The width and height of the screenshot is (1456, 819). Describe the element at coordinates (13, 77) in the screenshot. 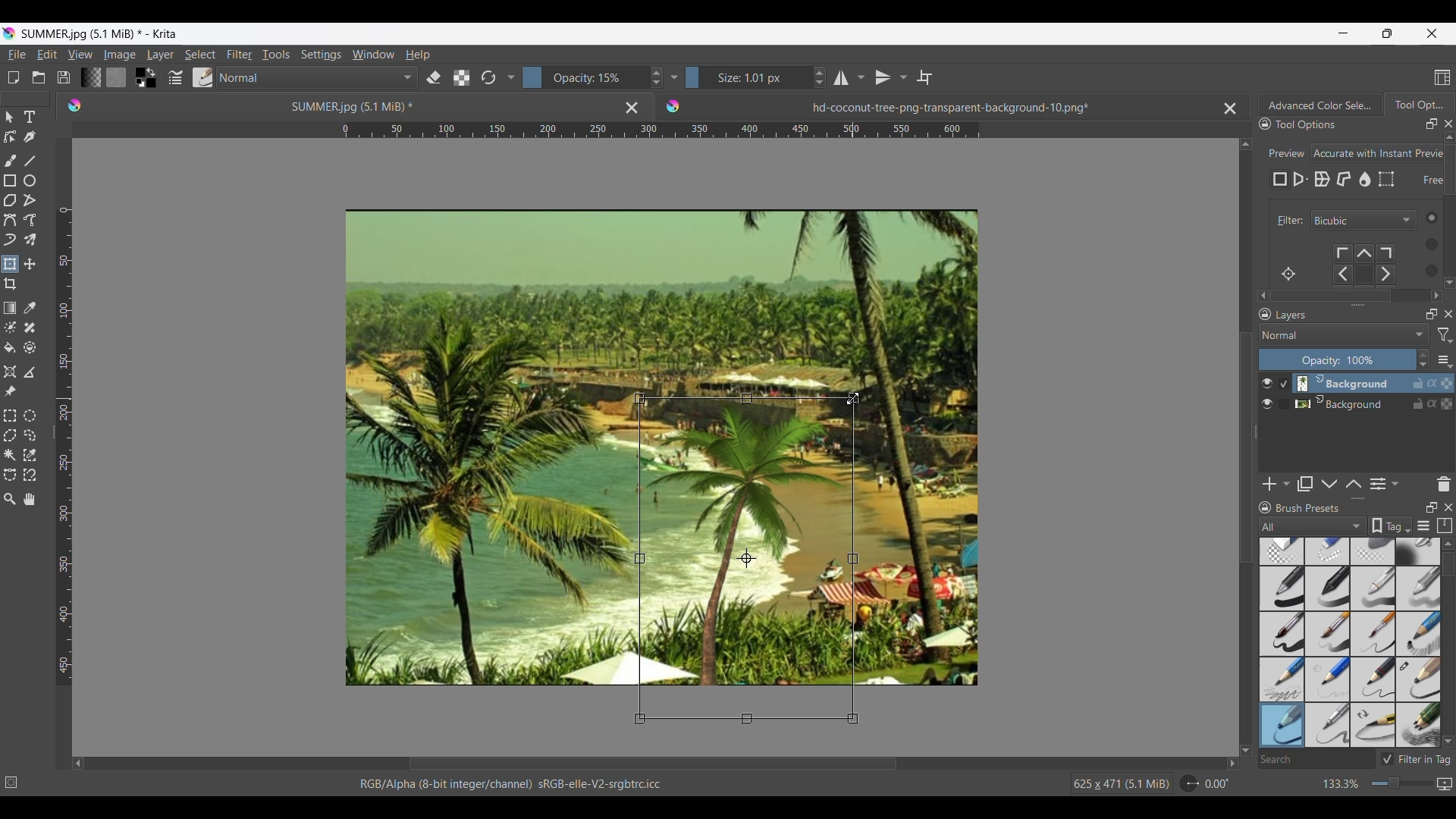

I see `Create a new document` at that location.